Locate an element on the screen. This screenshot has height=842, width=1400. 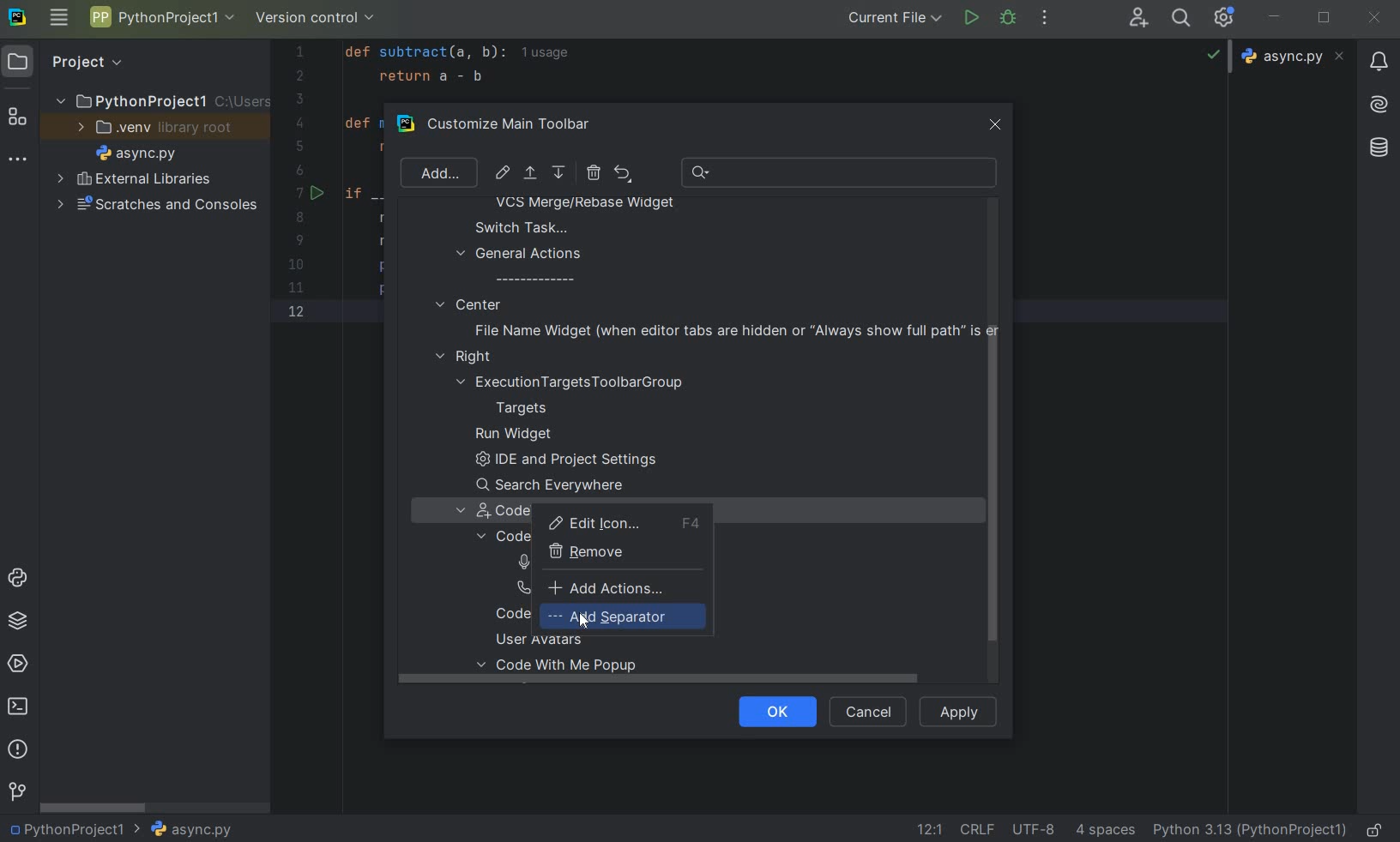
search everywhere is located at coordinates (557, 485).